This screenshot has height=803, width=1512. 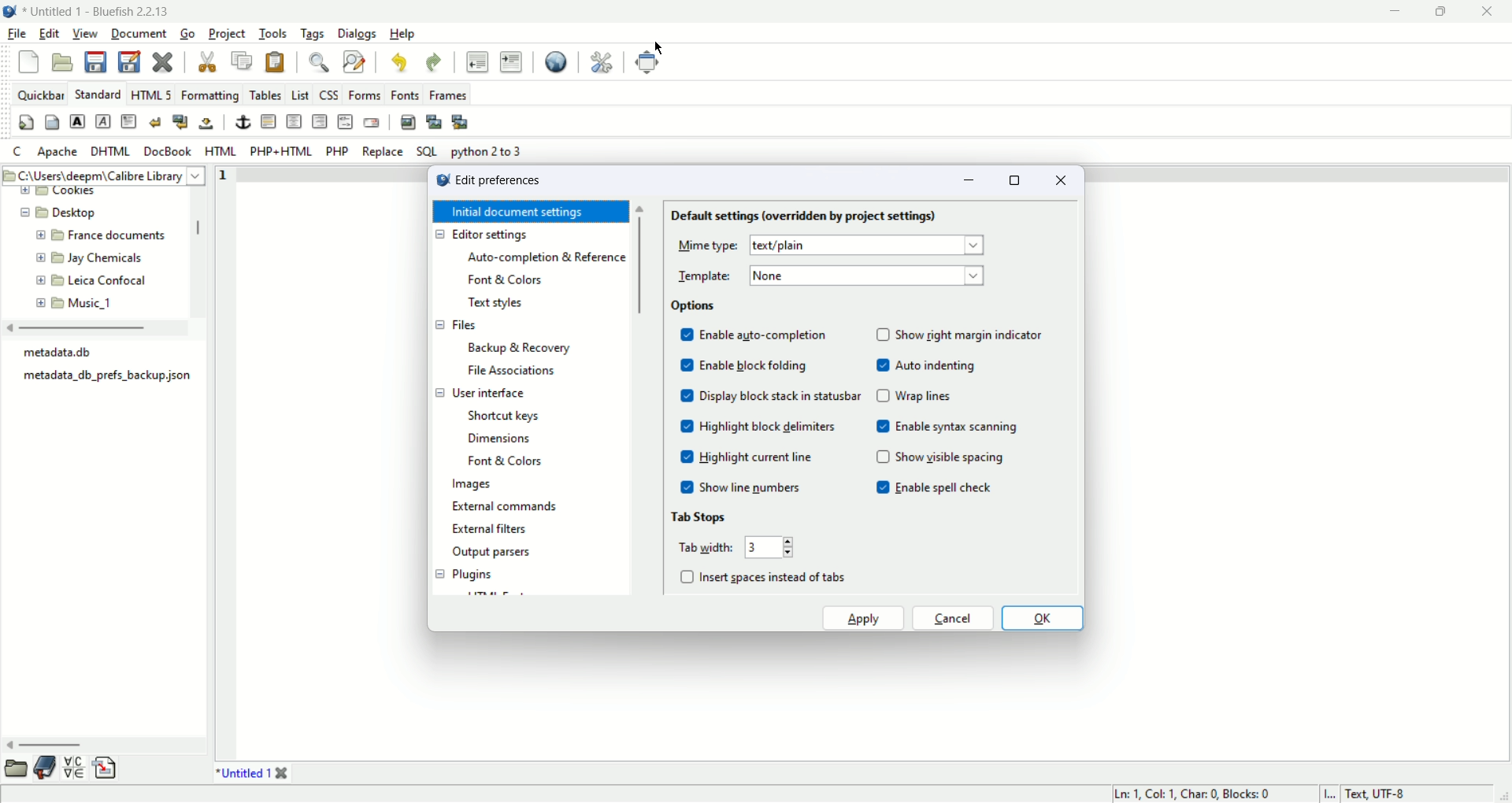 What do you see at coordinates (312, 35) in the screenshot?
I see `tags` at bounding box center [312, 35].